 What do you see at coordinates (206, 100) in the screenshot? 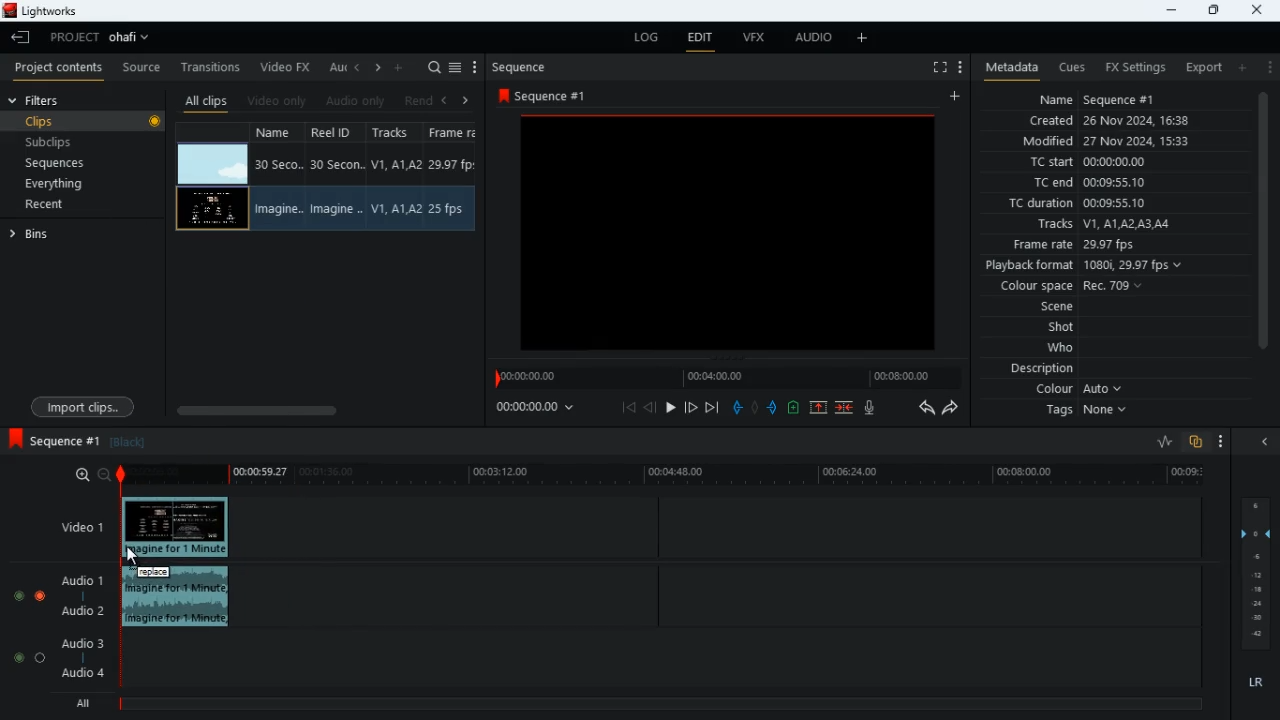
I see `all clips` at bounding box center [206, 100].